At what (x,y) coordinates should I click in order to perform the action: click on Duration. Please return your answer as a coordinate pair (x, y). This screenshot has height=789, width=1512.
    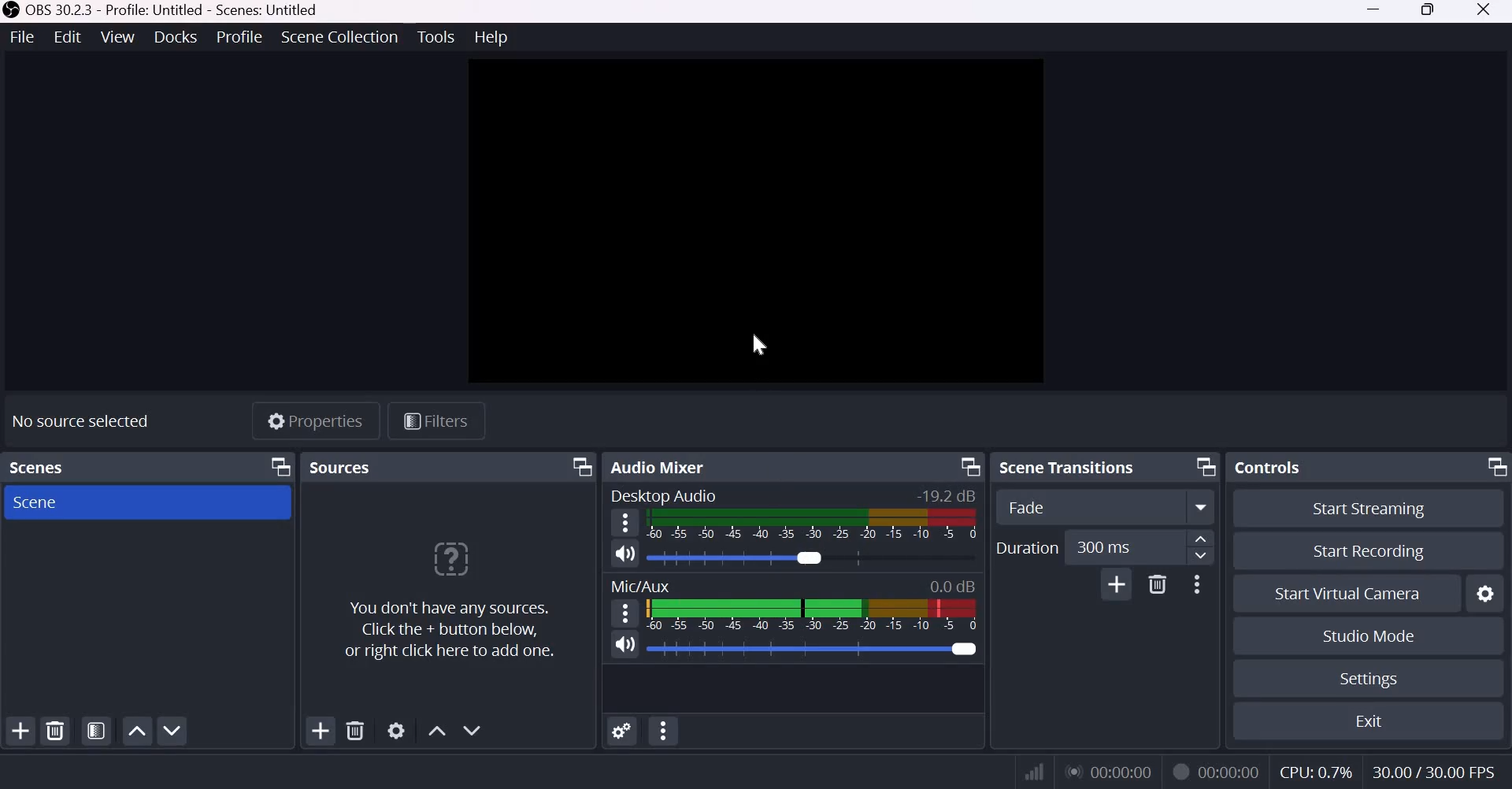
    Looking at the image, I should click on (1026, 548).